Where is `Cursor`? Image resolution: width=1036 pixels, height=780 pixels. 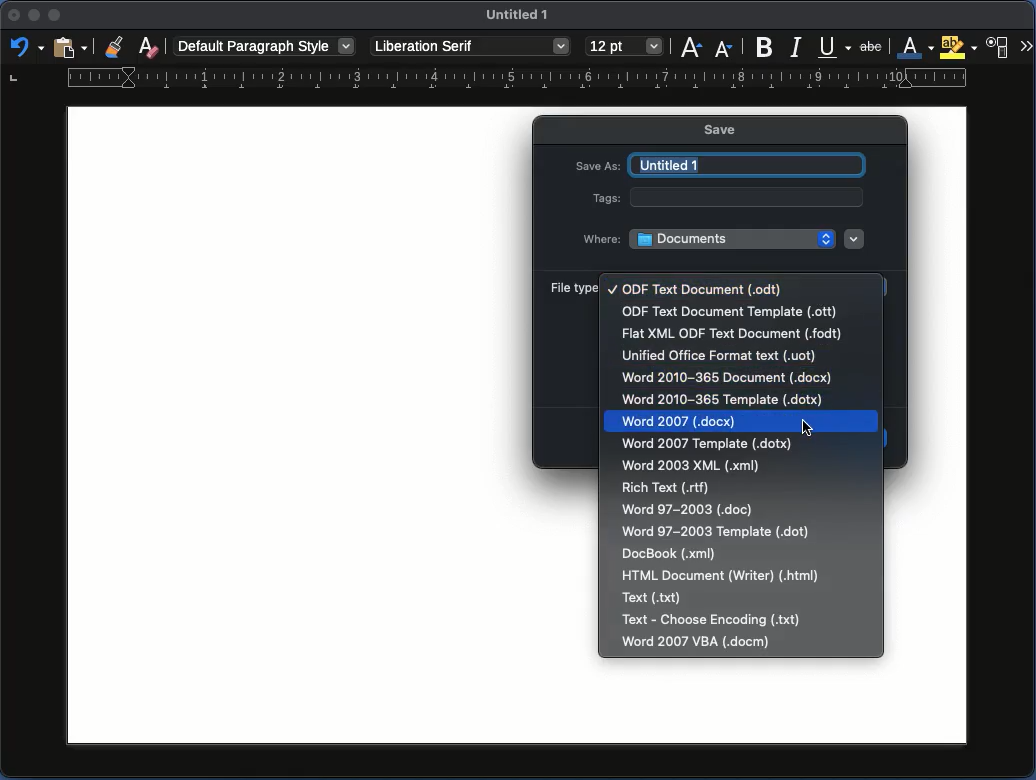
Cursor is located at coordinates (808, 431).